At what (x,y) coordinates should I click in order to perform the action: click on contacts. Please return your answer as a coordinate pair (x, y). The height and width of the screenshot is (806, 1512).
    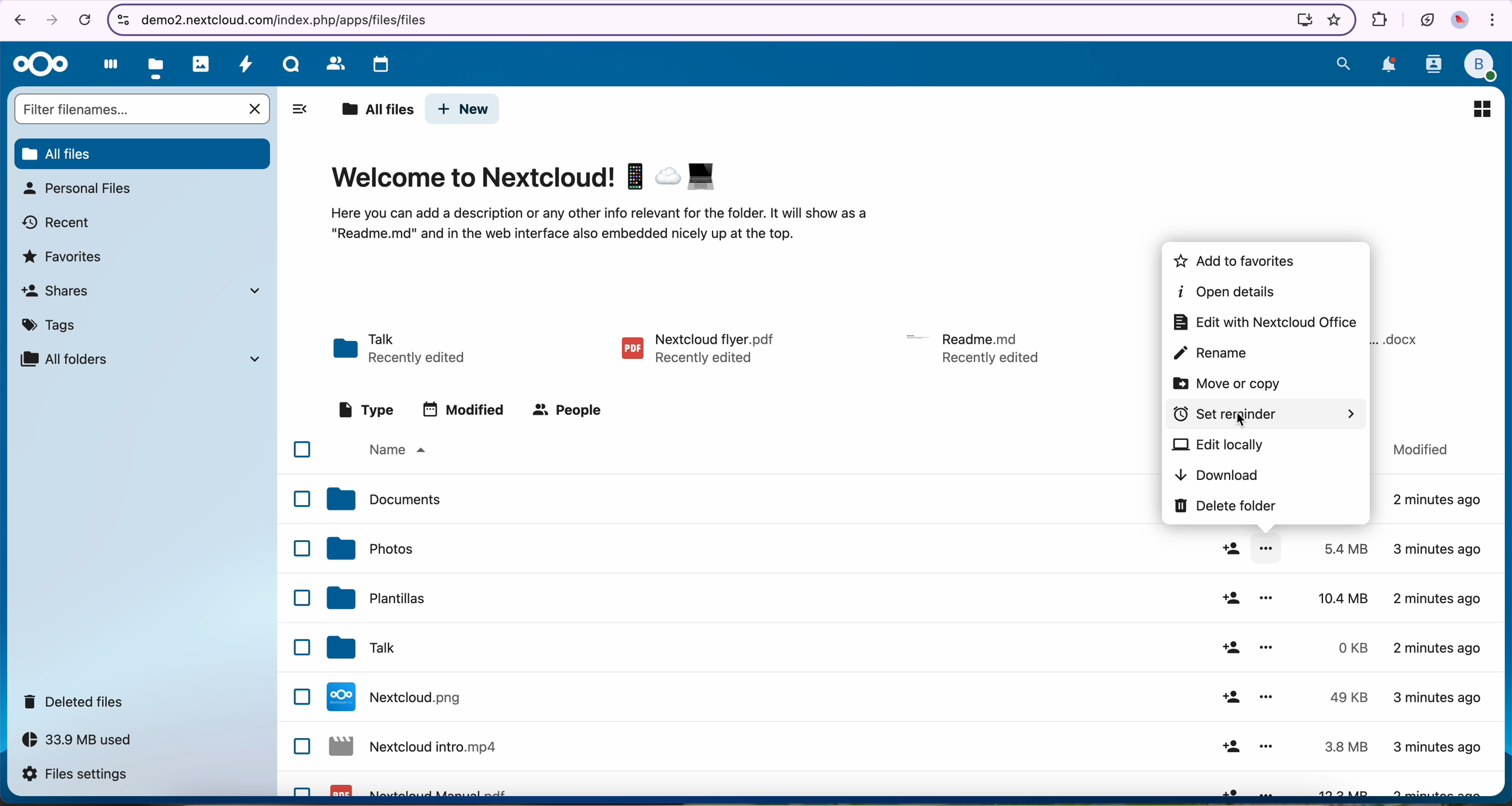
    Looking at the image, I should click on (332, 63).